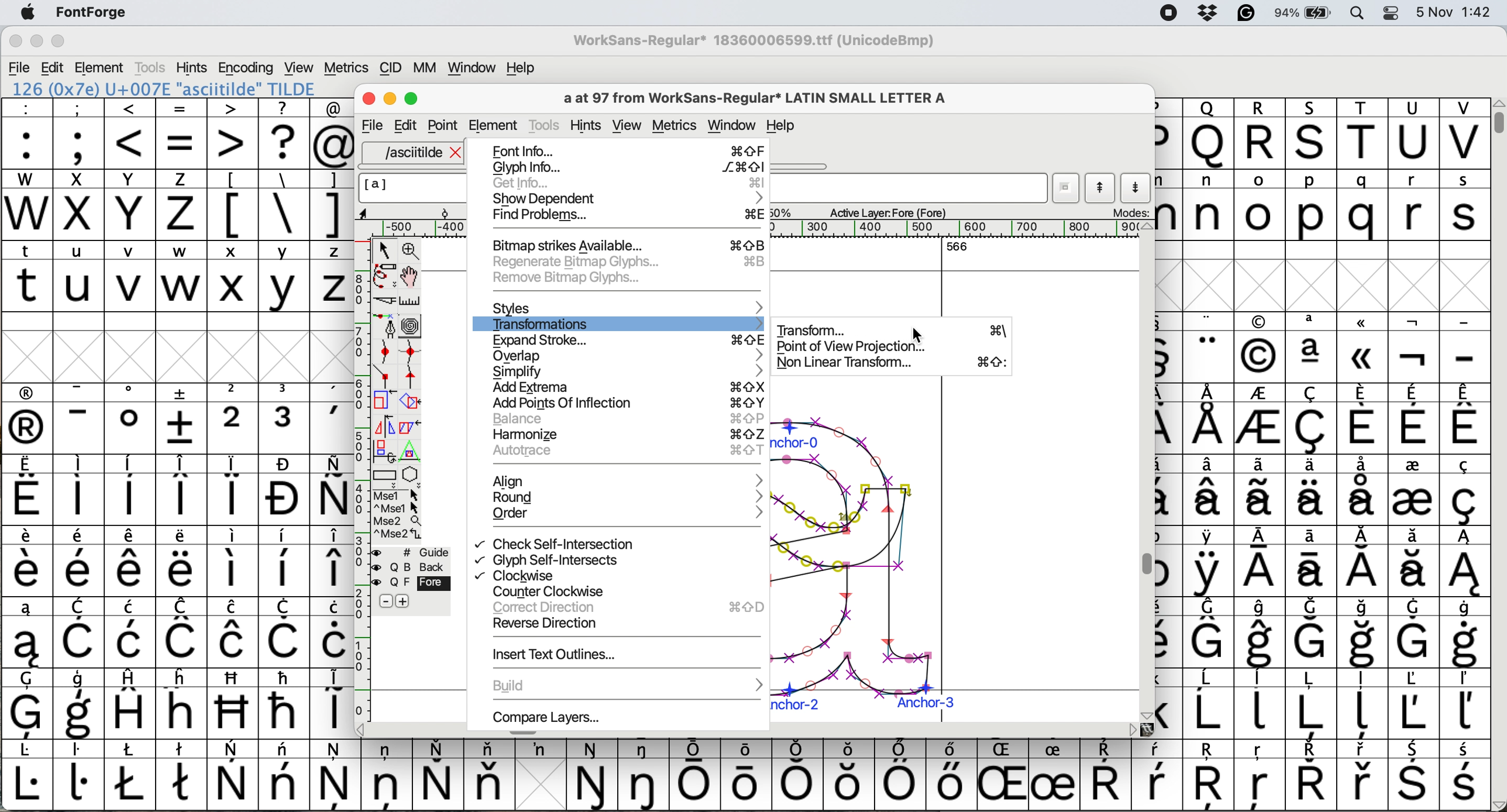 The width and height of the screenshot is (1507, 812). What do you see at coordinates (130, 418) in the screenshot?
I see `symbol` at bounding box center [130, 418].